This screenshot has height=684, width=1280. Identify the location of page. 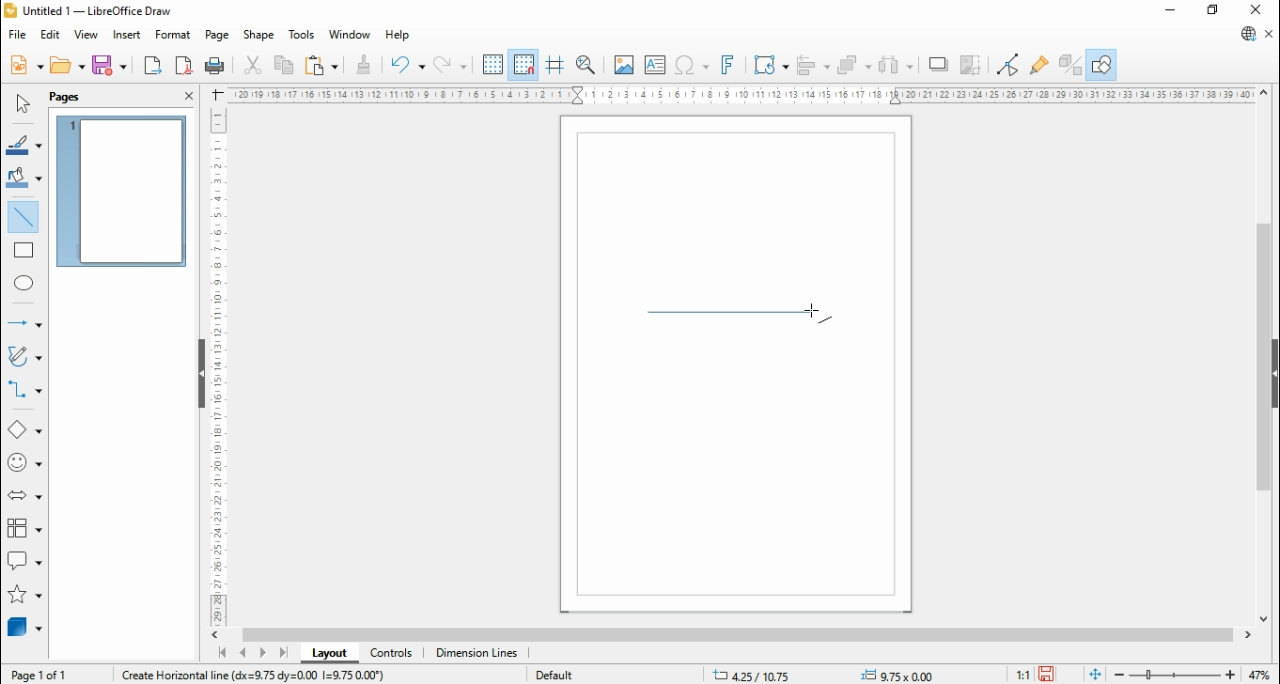
(215, 35).